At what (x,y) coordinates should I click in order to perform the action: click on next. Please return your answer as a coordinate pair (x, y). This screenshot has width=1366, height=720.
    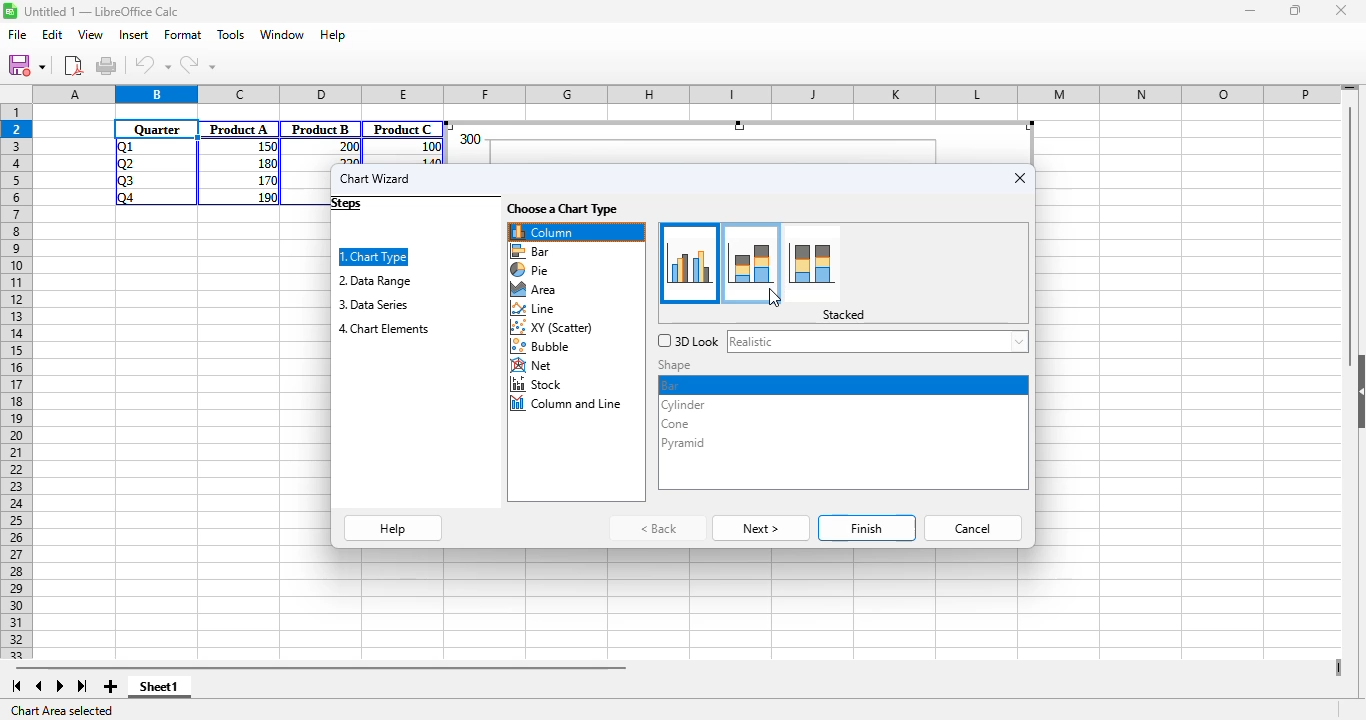
    Looking at the image, I should click on (761, 529).